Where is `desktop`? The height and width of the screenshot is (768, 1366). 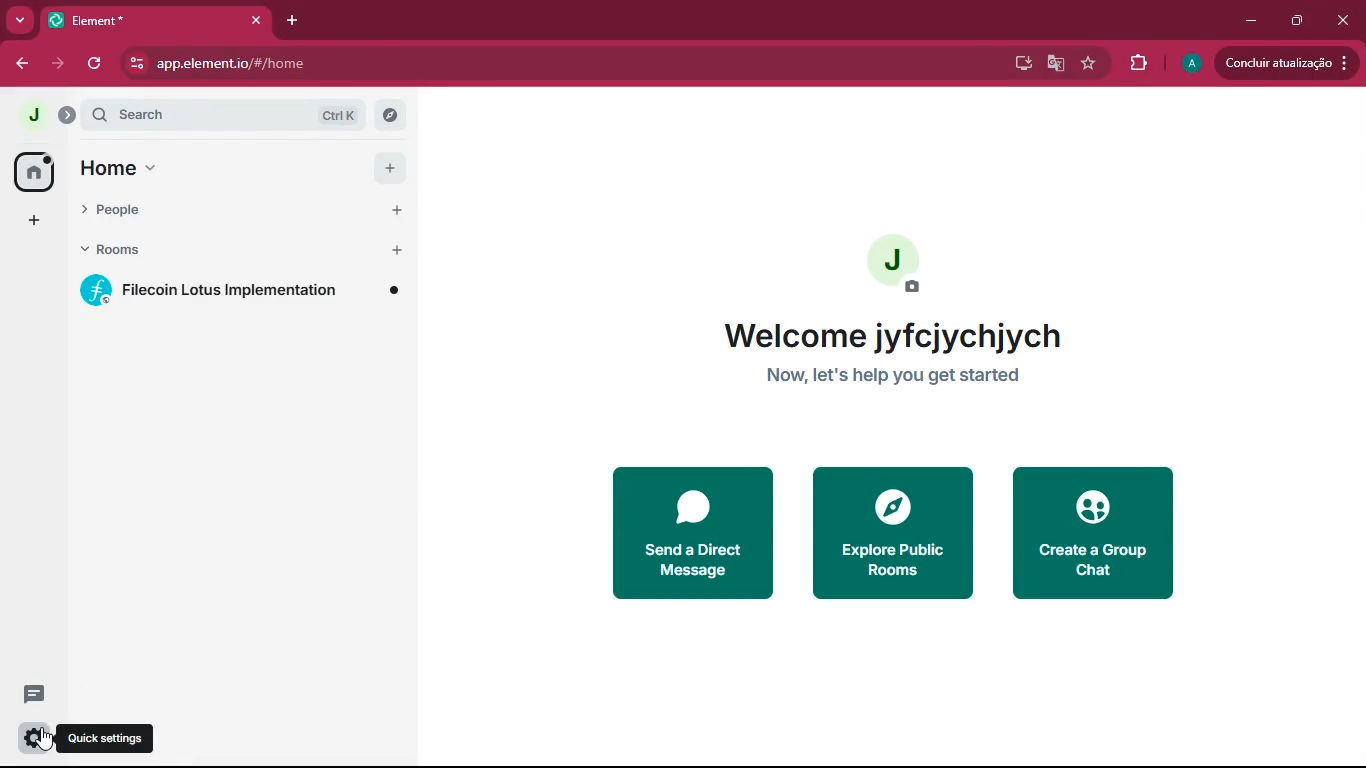
desktop is located at coordinates (1019, 63).